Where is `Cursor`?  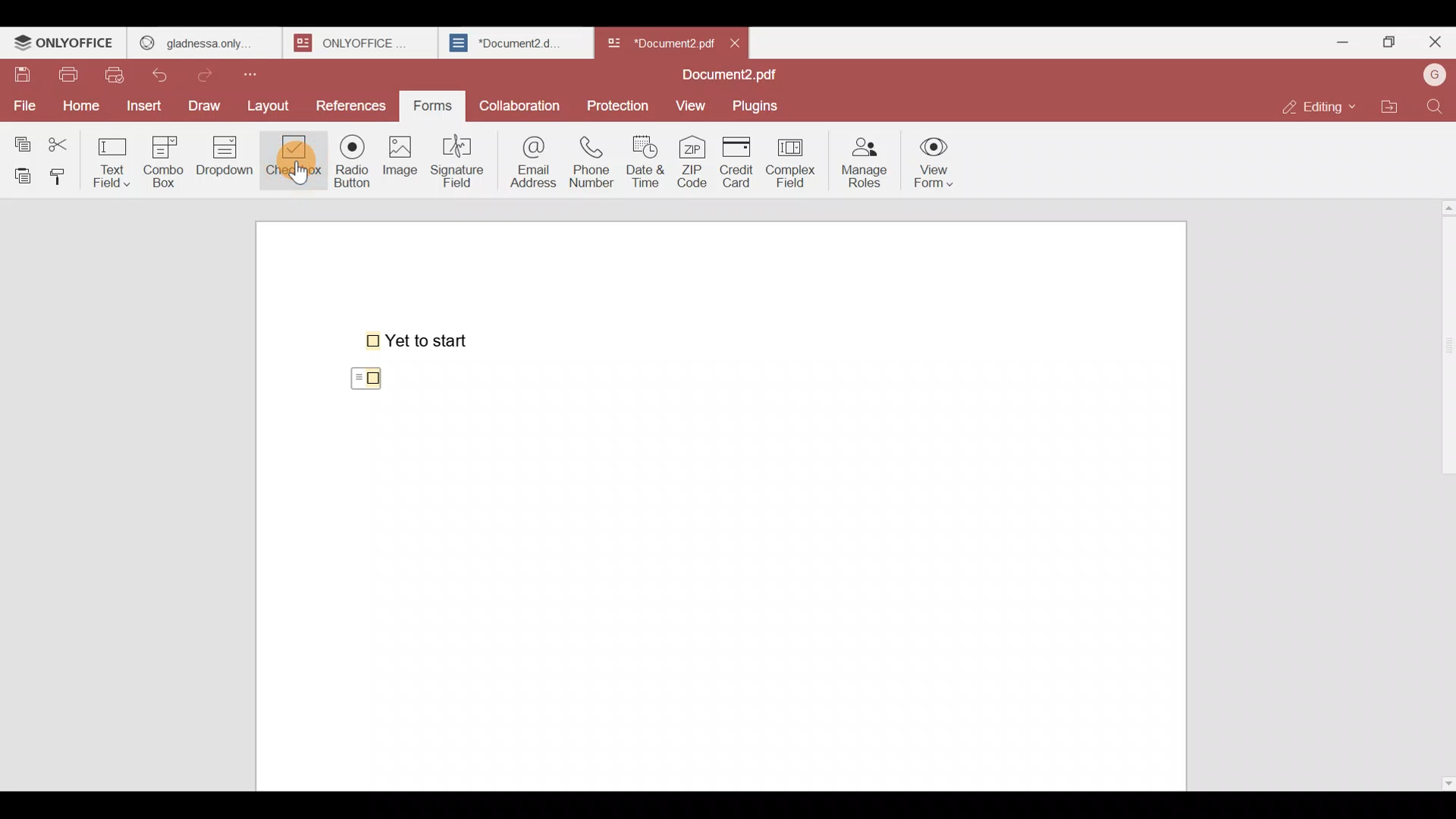 Cursor is located at coordinates (295, 173).